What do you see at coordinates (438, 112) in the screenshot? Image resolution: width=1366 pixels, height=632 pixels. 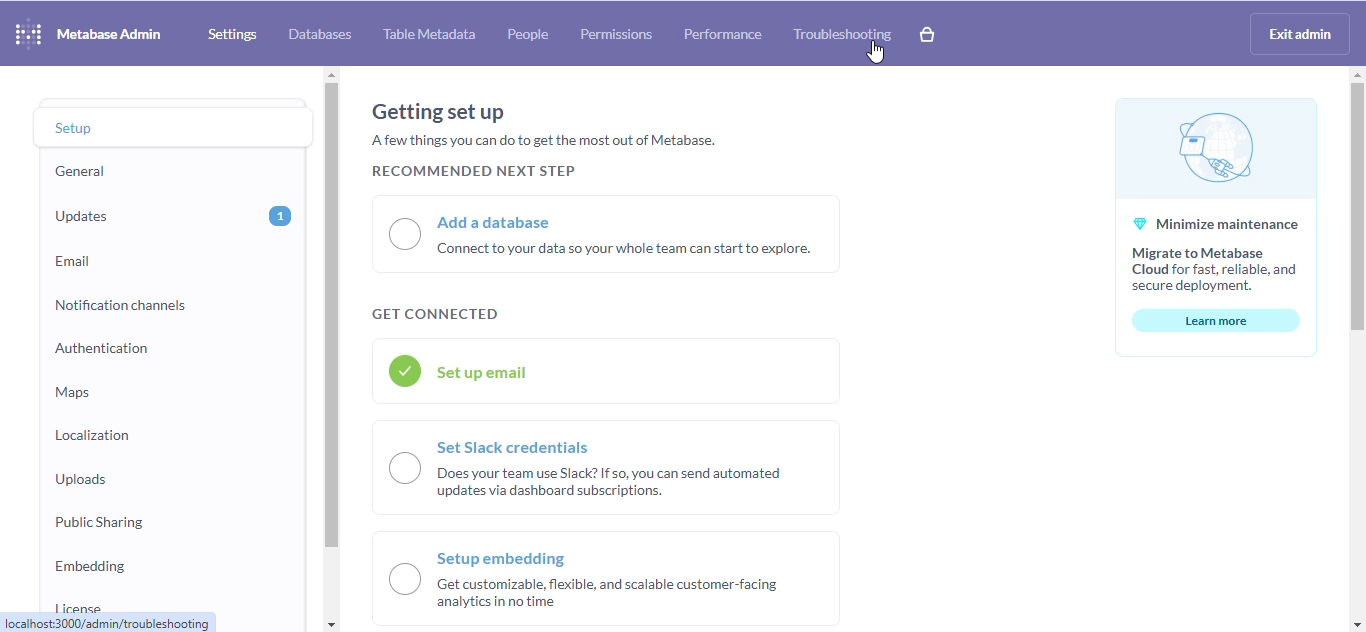 I see `getting set up` at bounding box center [438, 112].